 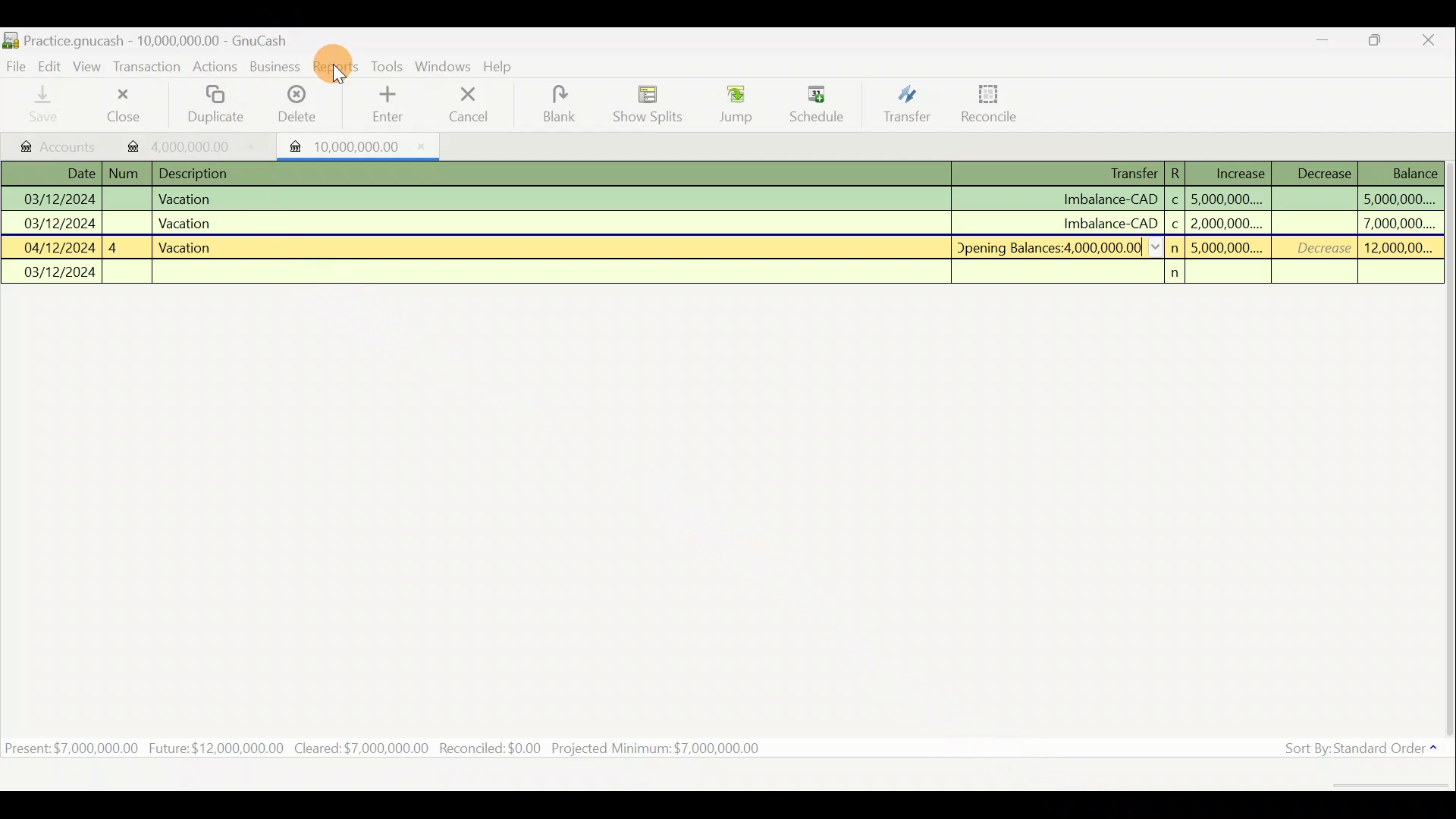 What do you see at coordinates (1447, 428) in the screenshot?
I see `Scroll bar` at bounding box center [1447, 428].